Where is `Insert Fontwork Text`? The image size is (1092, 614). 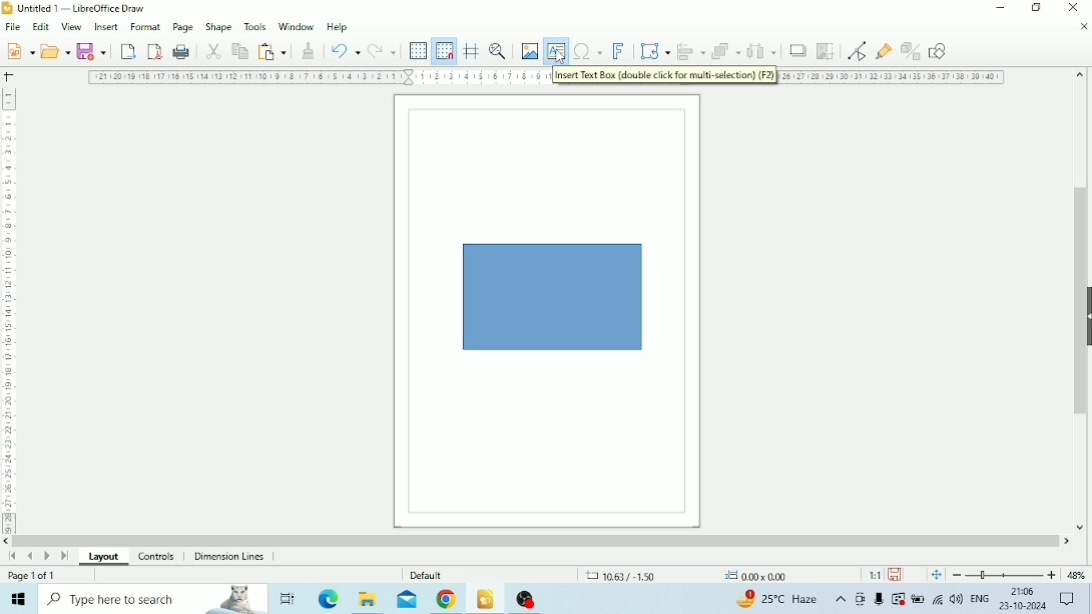 Insert Fontwork Text is located at coordinates (620, 52).